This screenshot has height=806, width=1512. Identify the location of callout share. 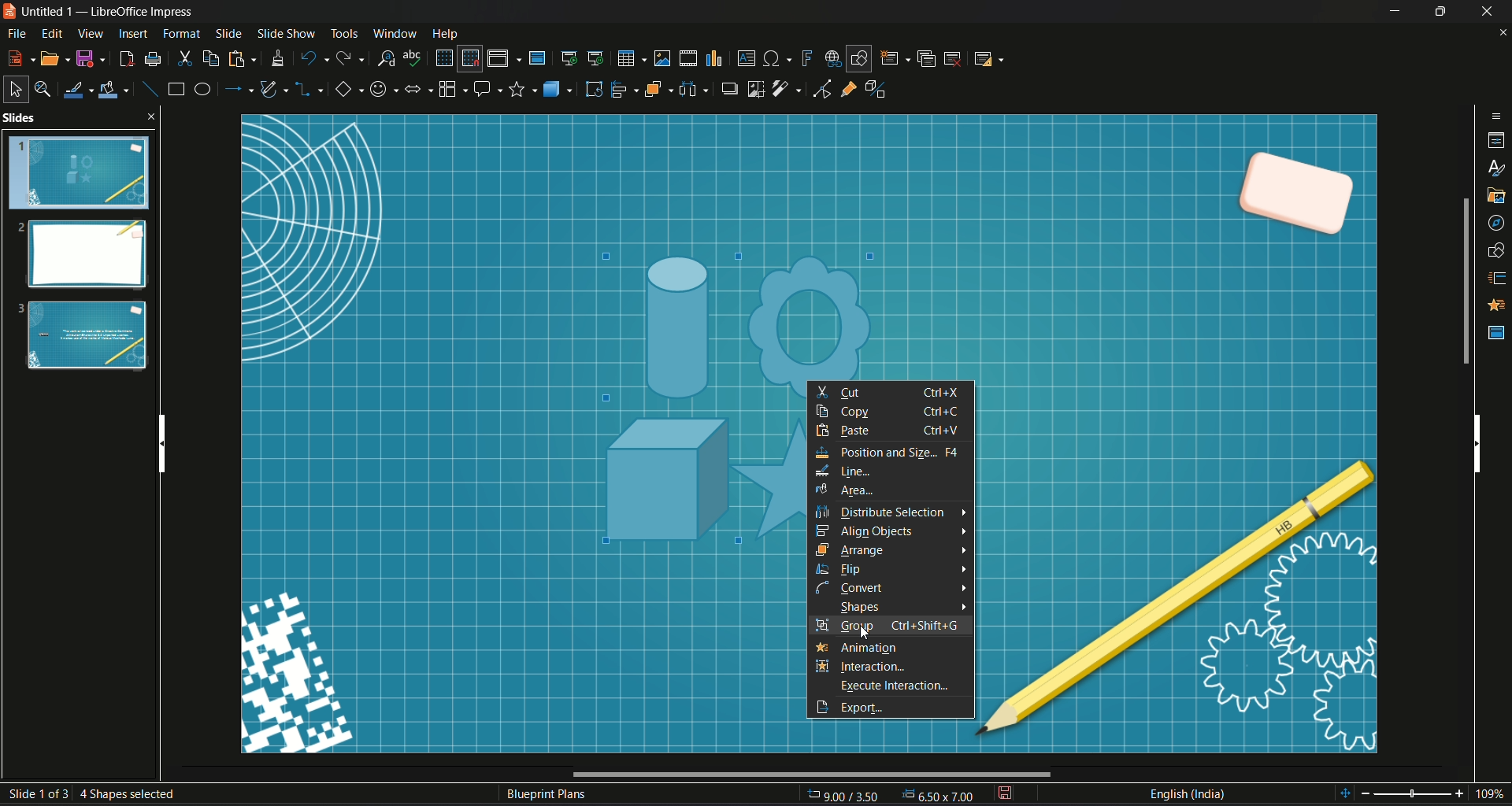
(487, 88).